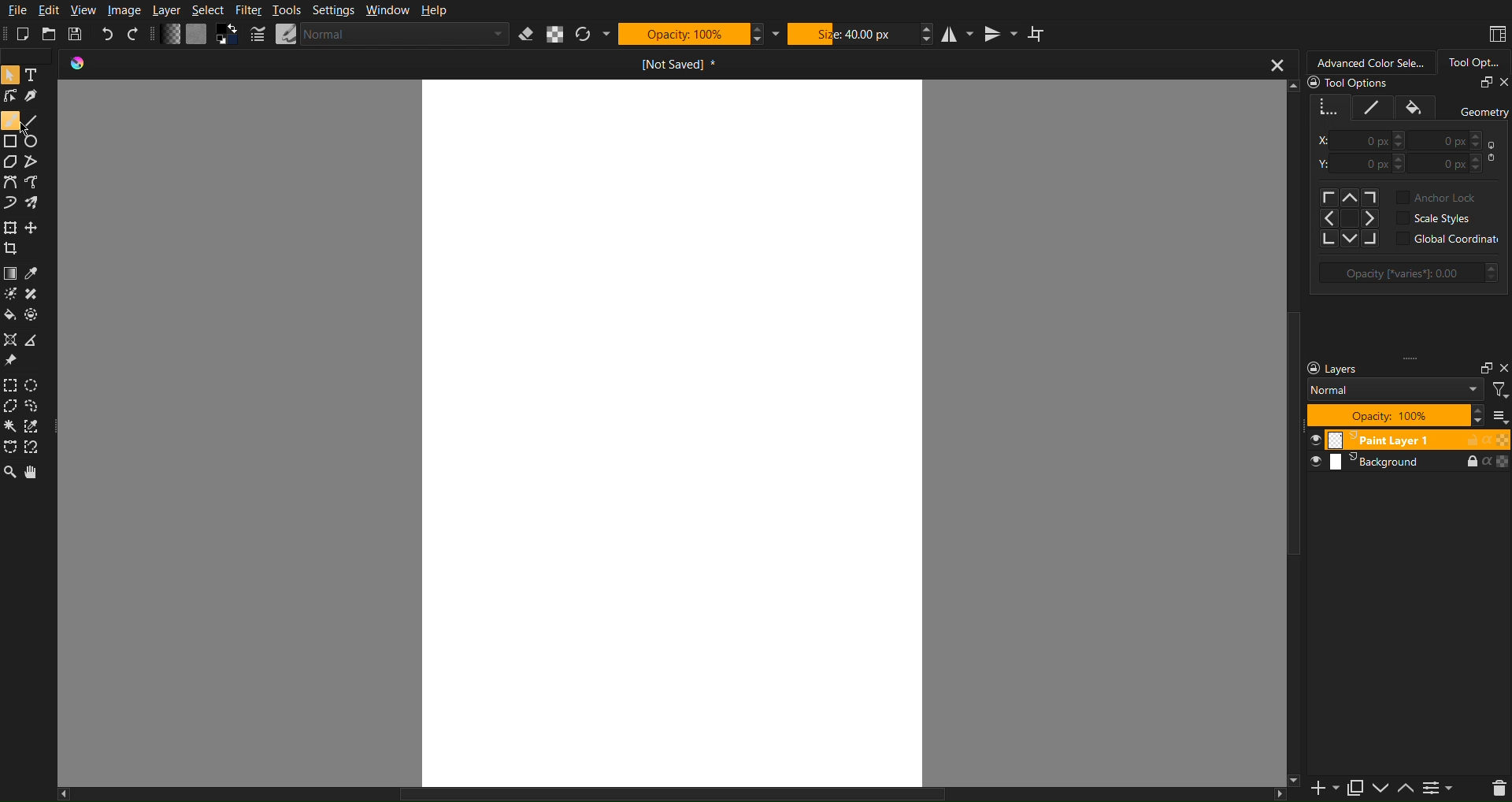  I want to click on Close, so click(1503, 368).